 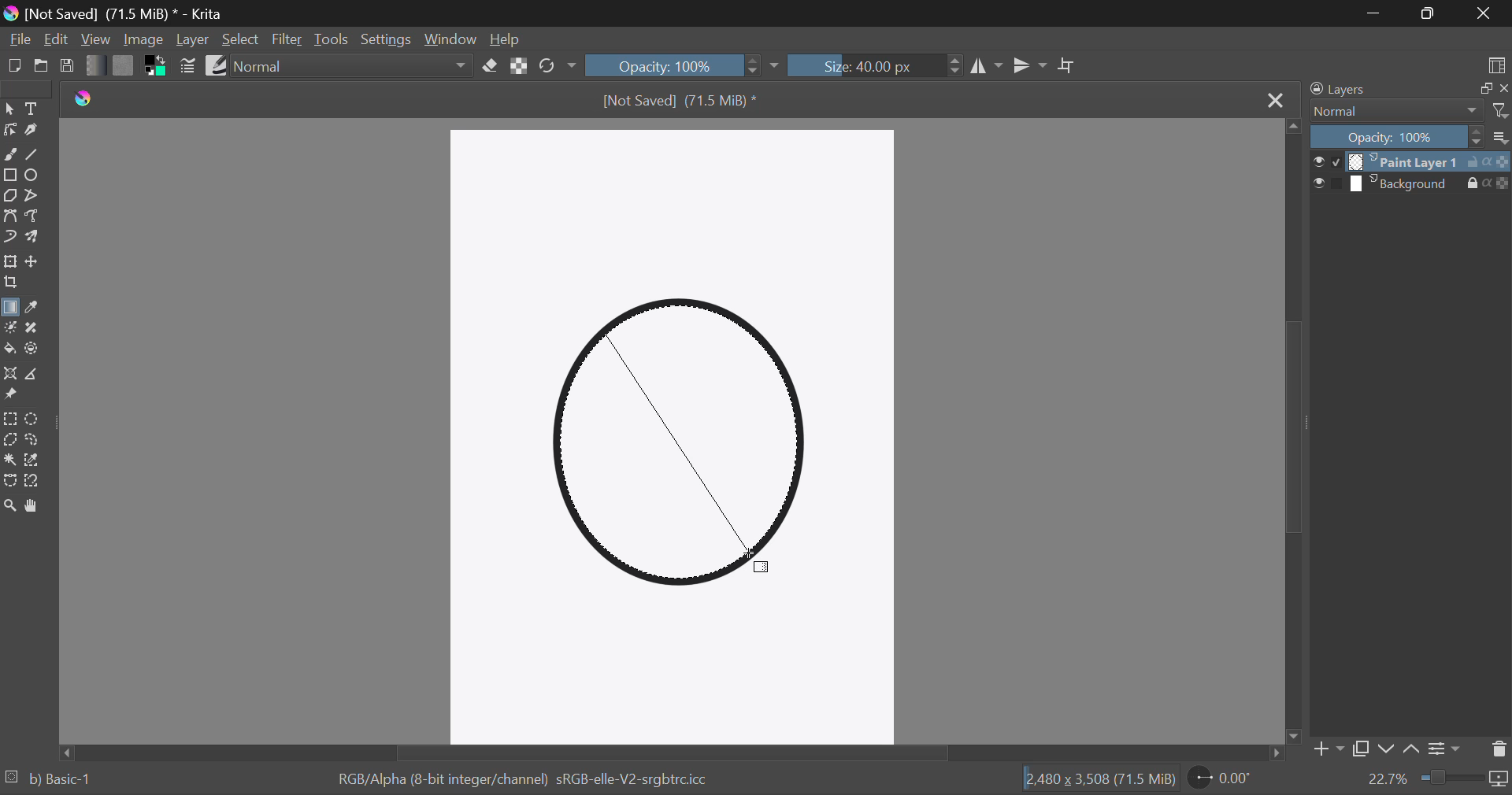 What do you see at coordinates (10, 308) in the screenshot?
I see `Gradient Fill` at bounding box center [10, 308].